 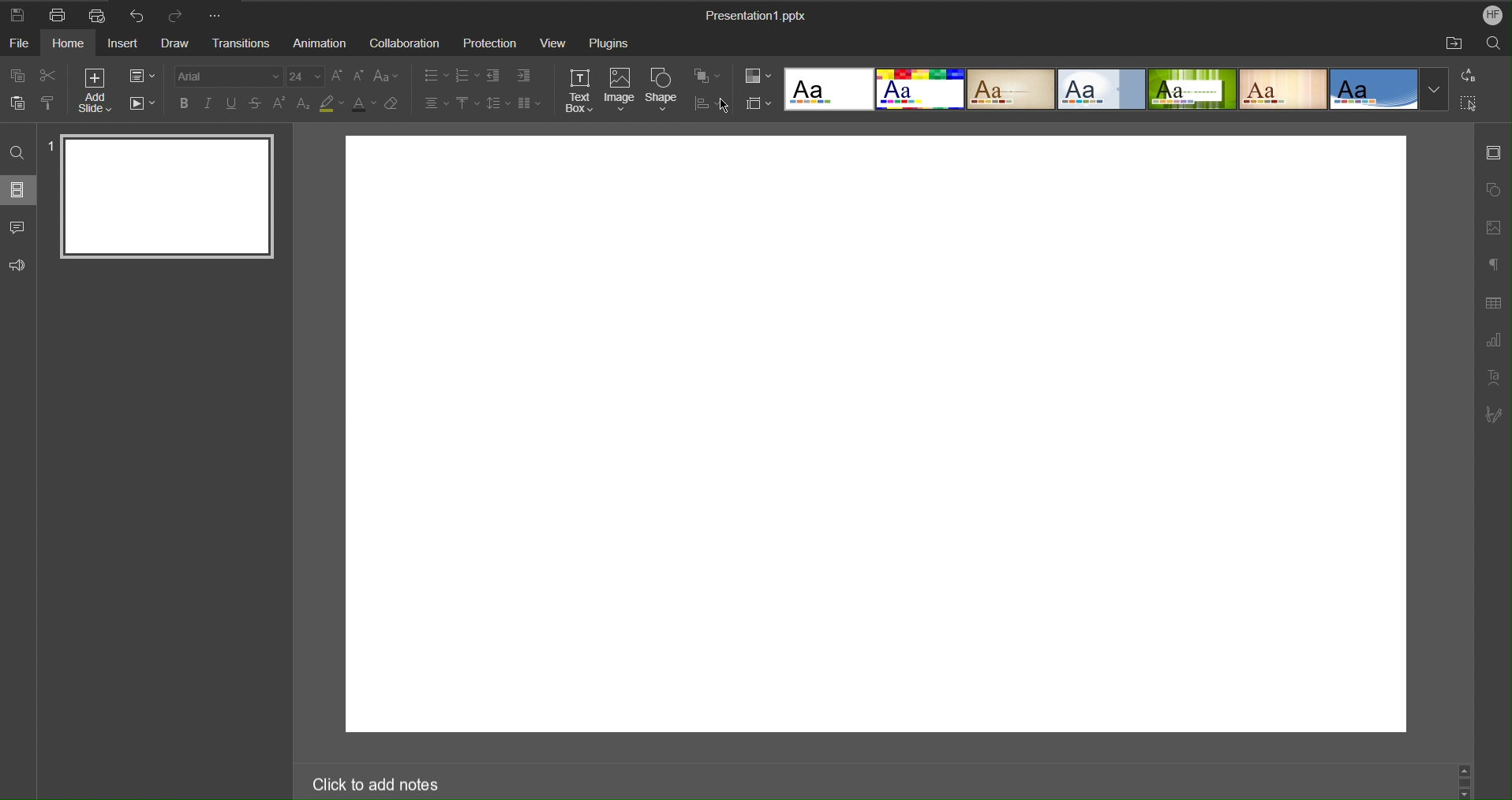 I want to click on Go up, so click(x=1465, y=768).